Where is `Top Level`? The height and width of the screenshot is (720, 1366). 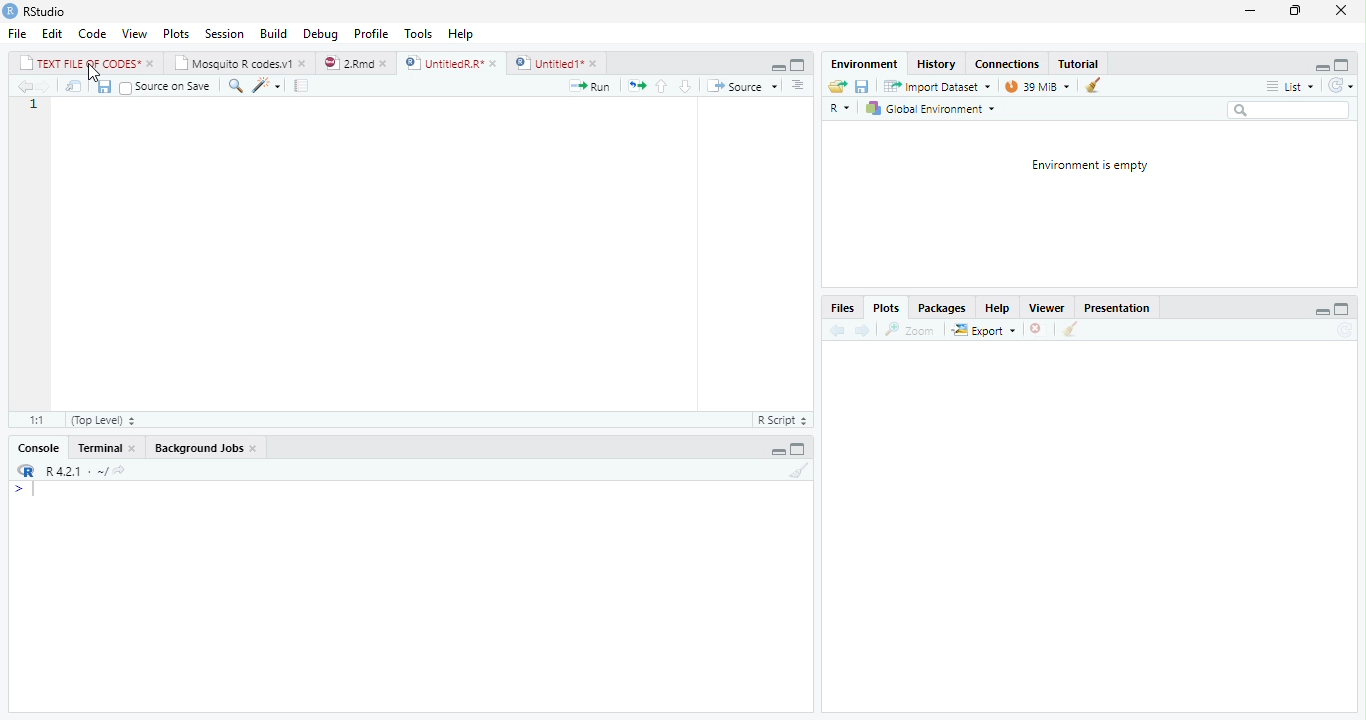 Top Level is located at coordinates (105, 419).